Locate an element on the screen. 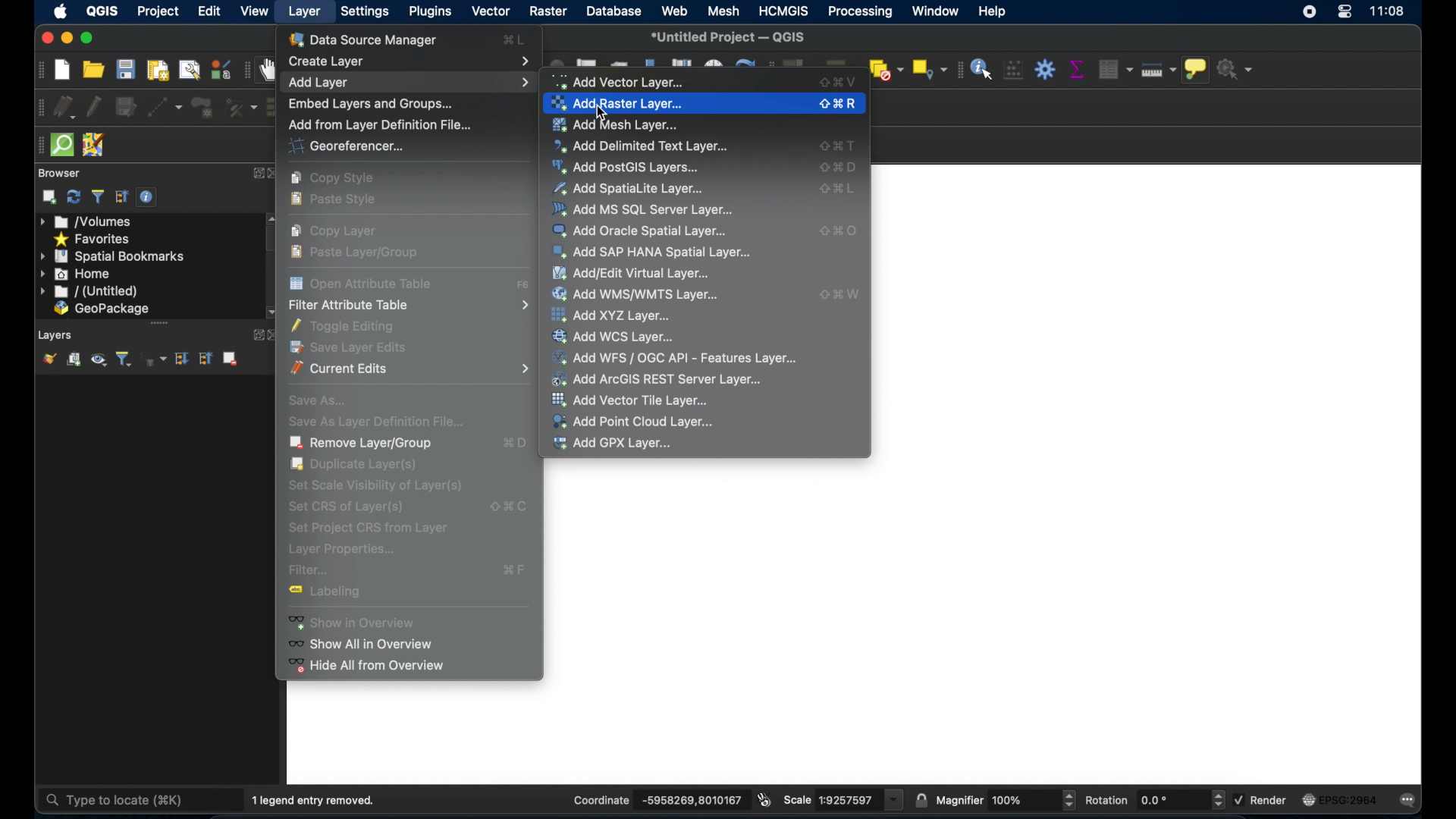 This screenshot has width=1456, height=819. plugins is located at coordinates (429, 12).